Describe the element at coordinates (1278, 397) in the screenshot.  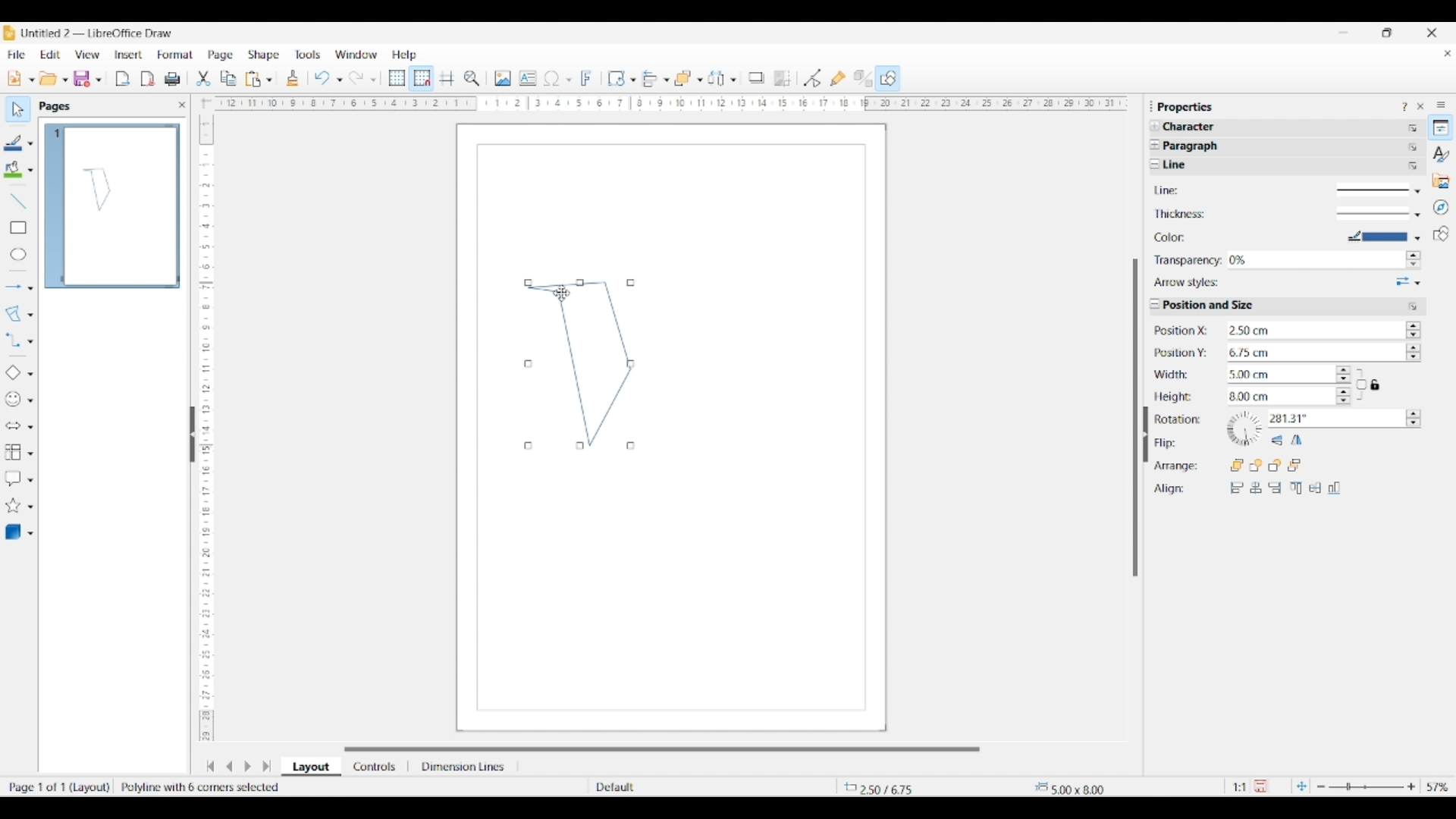
I see `Type height` at that location.